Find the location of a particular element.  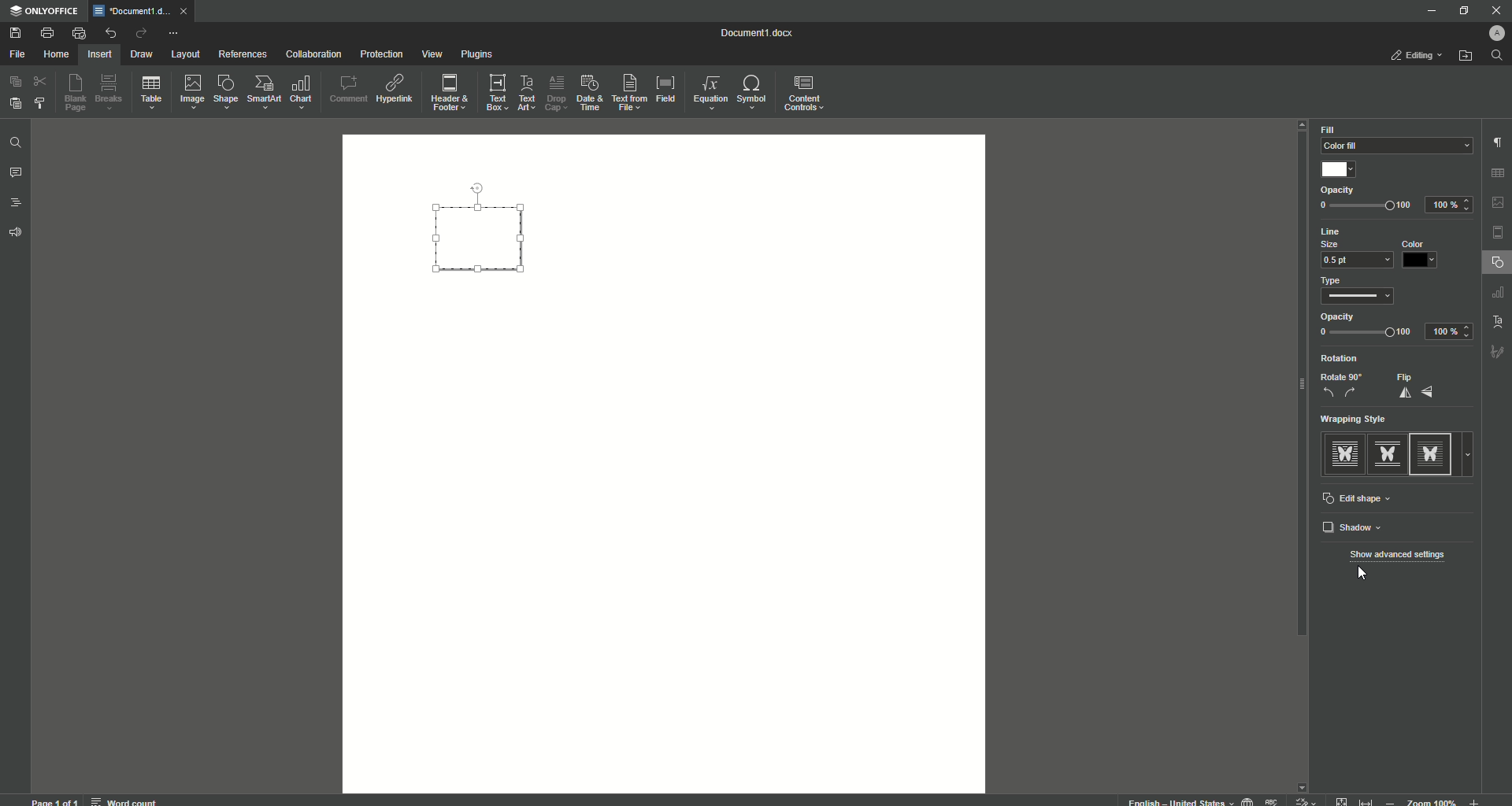

cursor is located at coordinates (1370, 574).